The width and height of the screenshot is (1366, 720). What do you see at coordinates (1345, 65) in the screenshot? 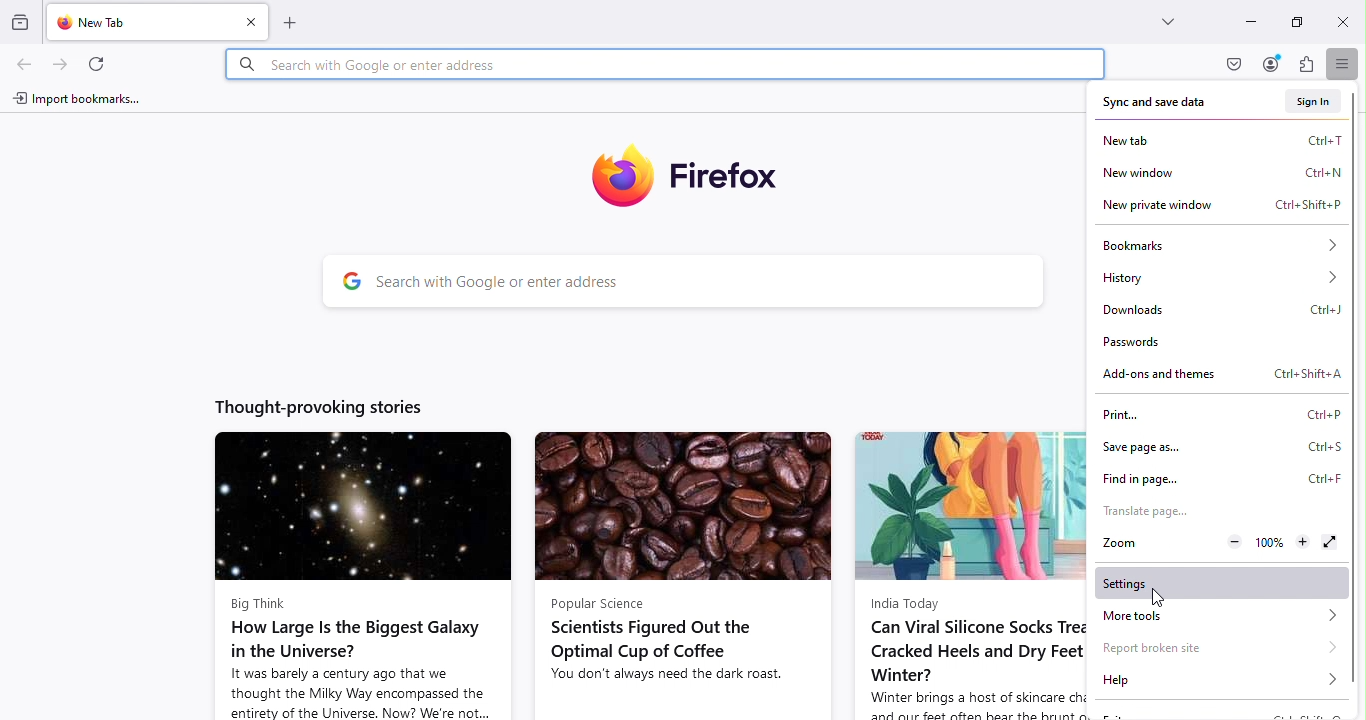
I see `Open application menu` at bounding box center [1345, 65].